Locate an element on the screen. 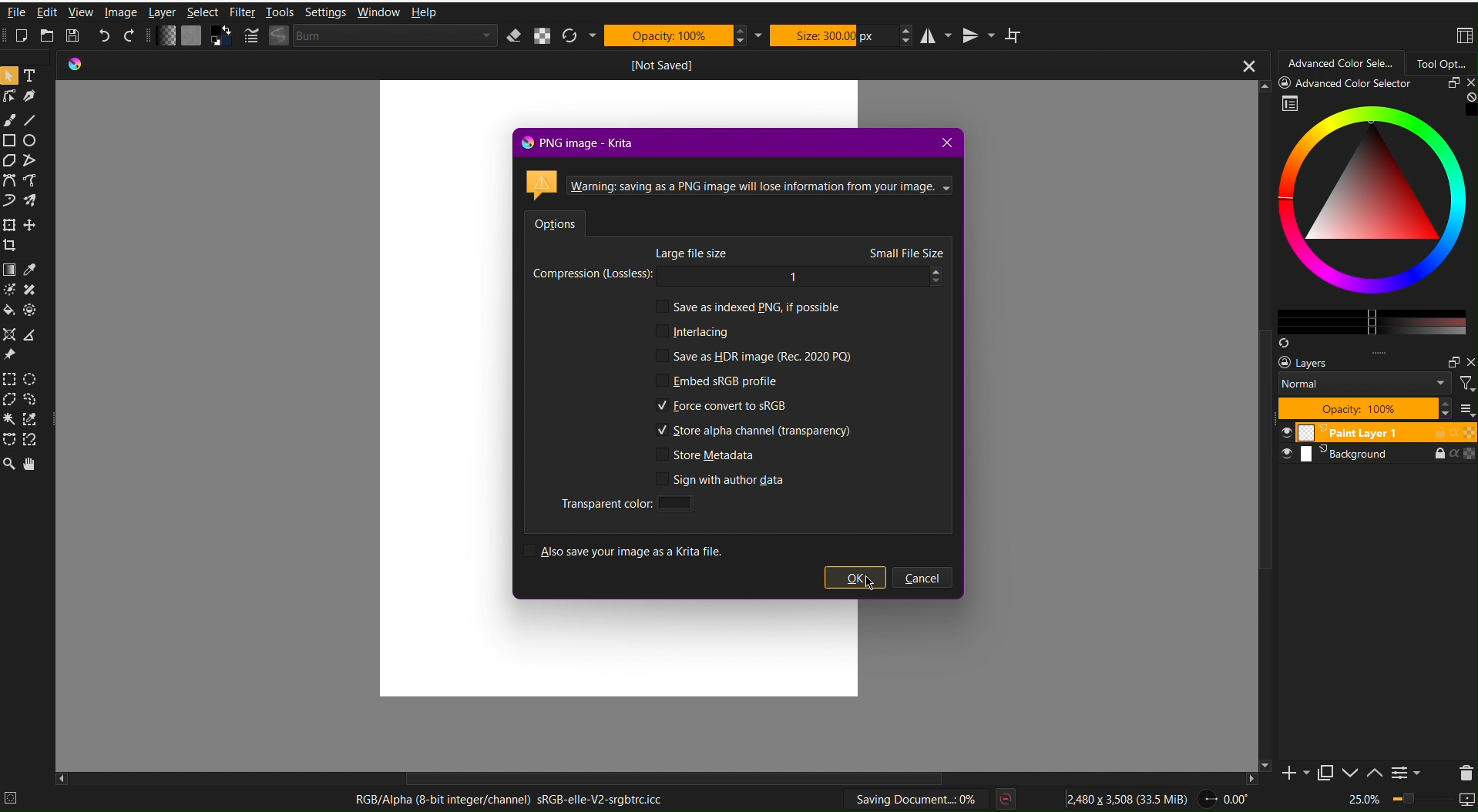  Also save your image as a Krita file is located at coordinates (628, 549).